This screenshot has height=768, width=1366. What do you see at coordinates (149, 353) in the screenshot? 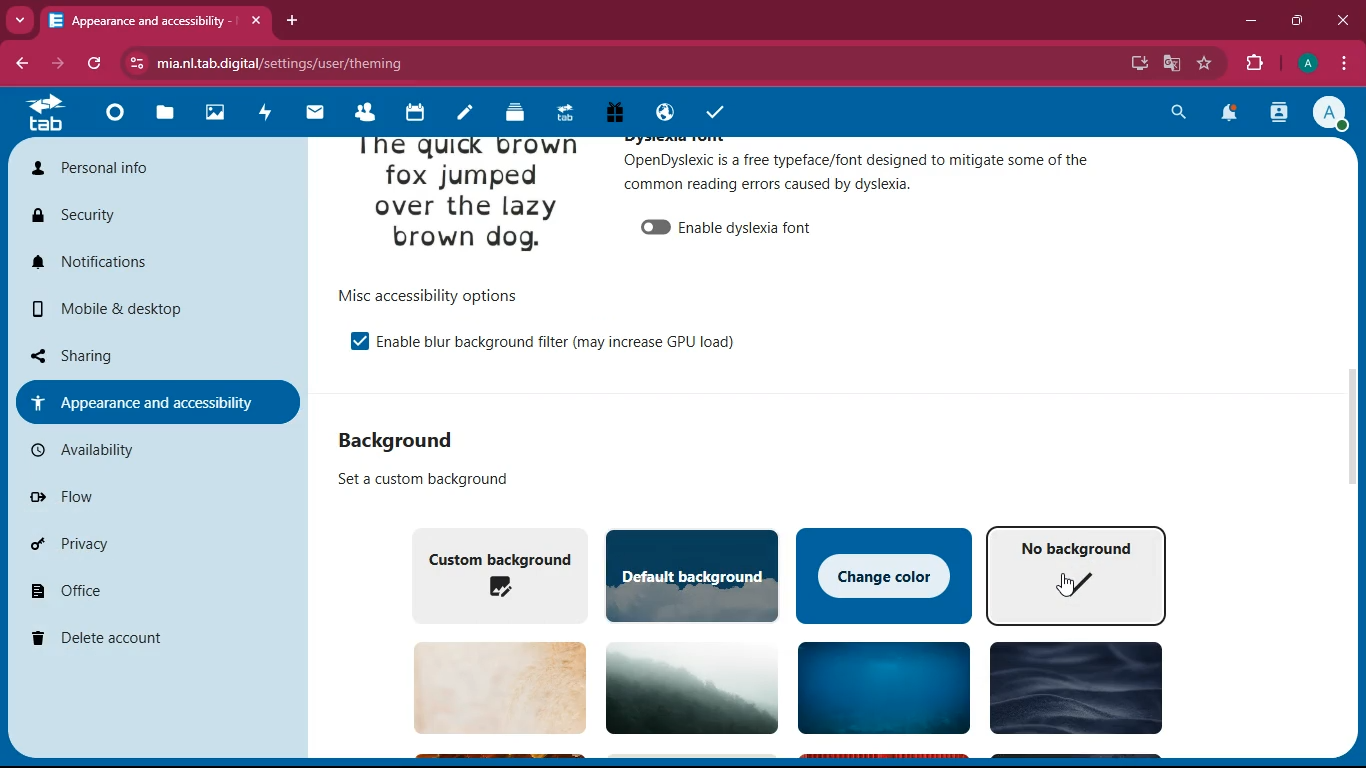
I see `sharing` at bounding box center [149, 353].